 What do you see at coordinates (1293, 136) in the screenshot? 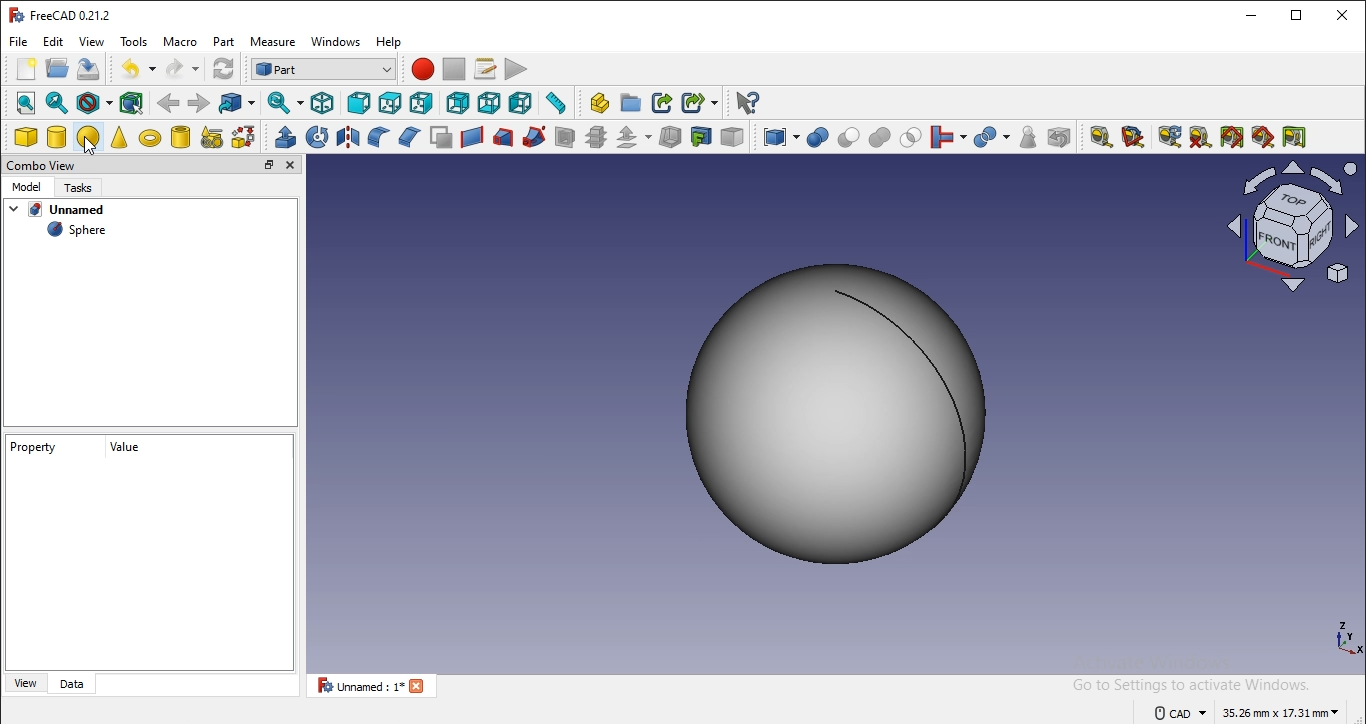
I see `toggle delta` at bounding box center [1293, 136].